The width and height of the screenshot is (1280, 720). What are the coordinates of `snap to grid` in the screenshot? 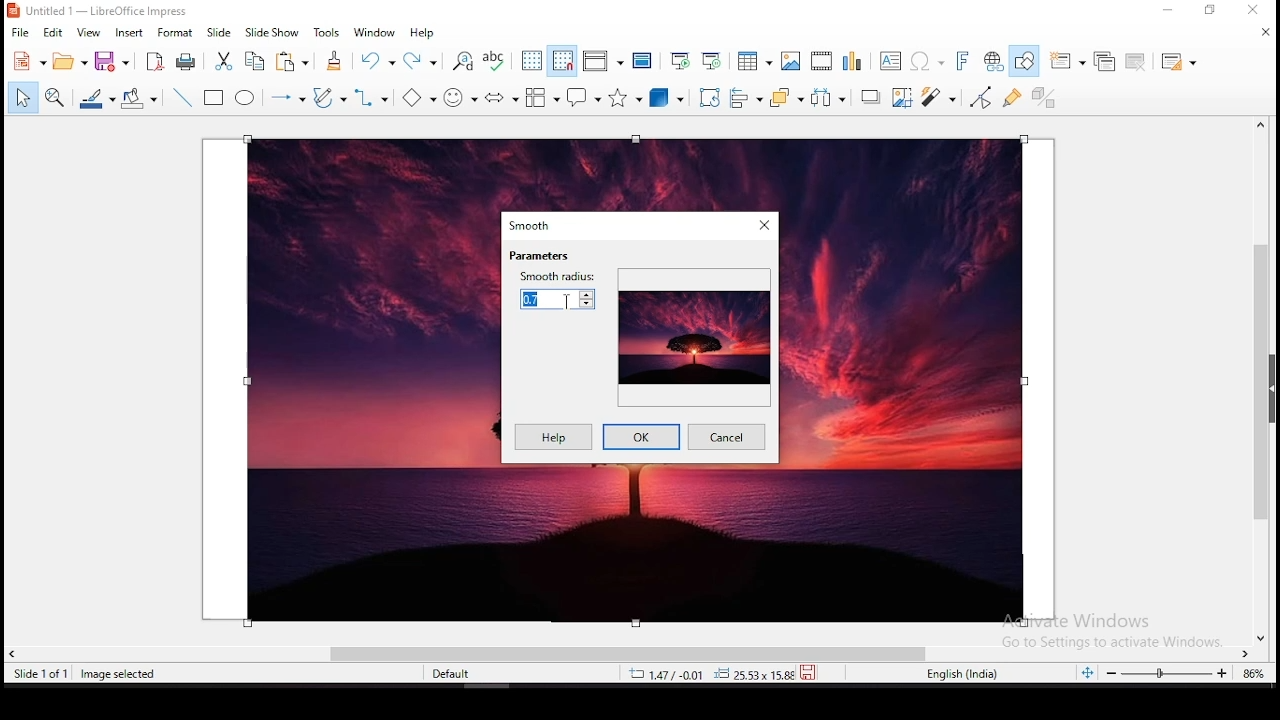 It's located at (561, 62).